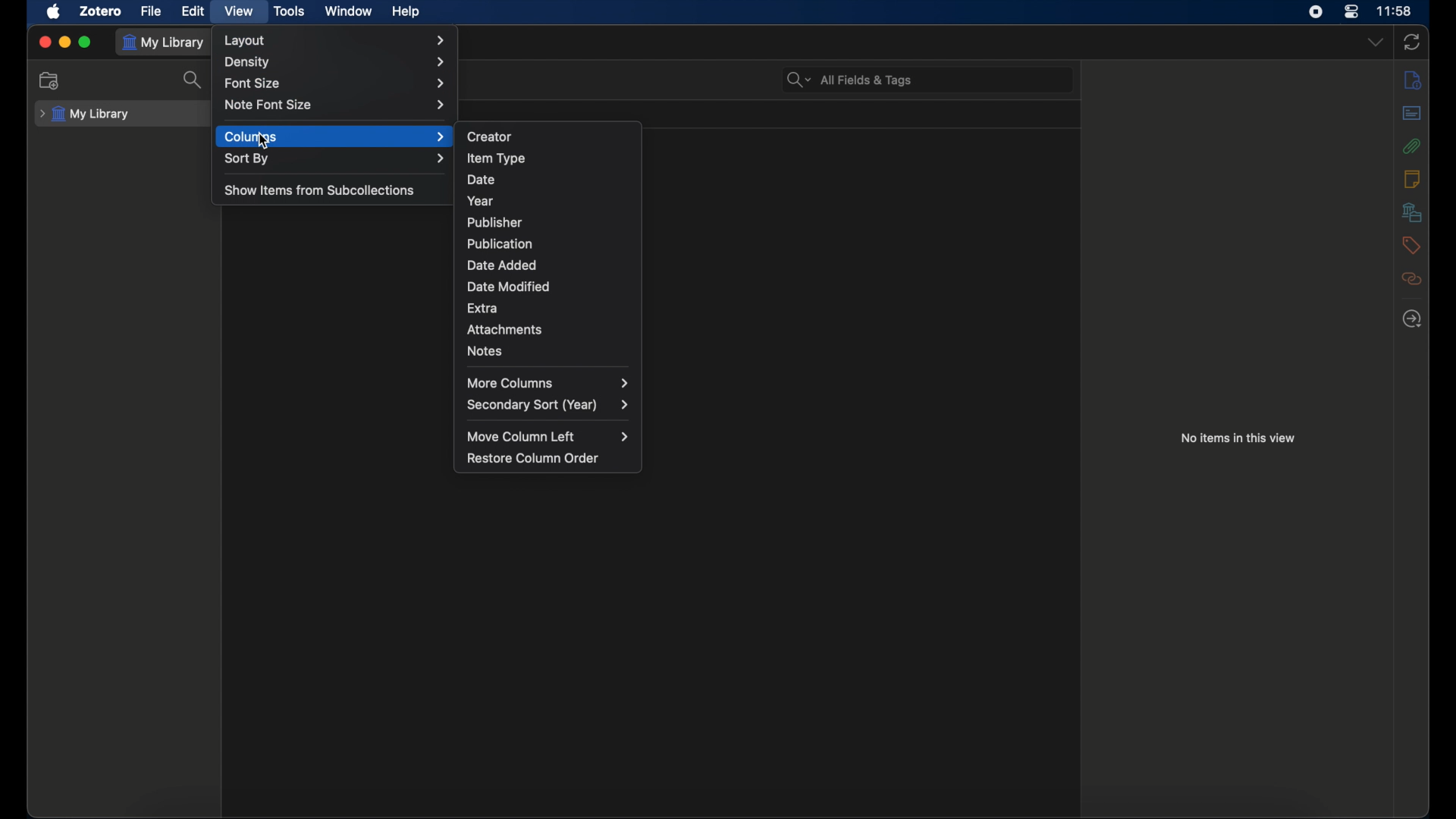 The width and height of the screenshot is (1456, 819). Describe the element at coordinates (484, 308) in the screenshot. I see `extra` at that location.